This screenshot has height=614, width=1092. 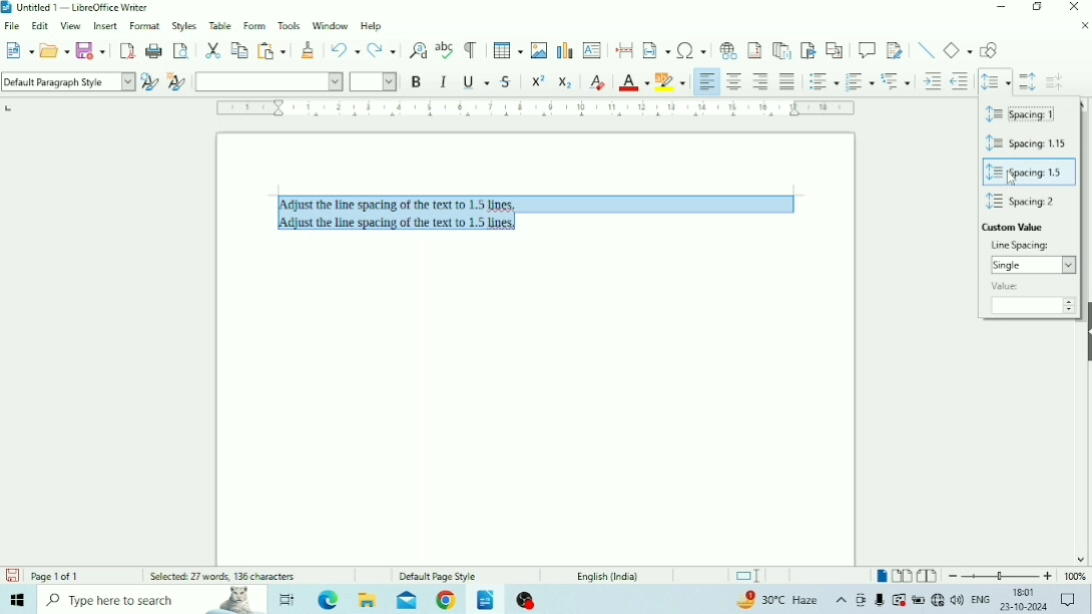 What do you see at coordinates (417, 82) in the screenshot?
I see `Bold` at bounding box center [417, 82].